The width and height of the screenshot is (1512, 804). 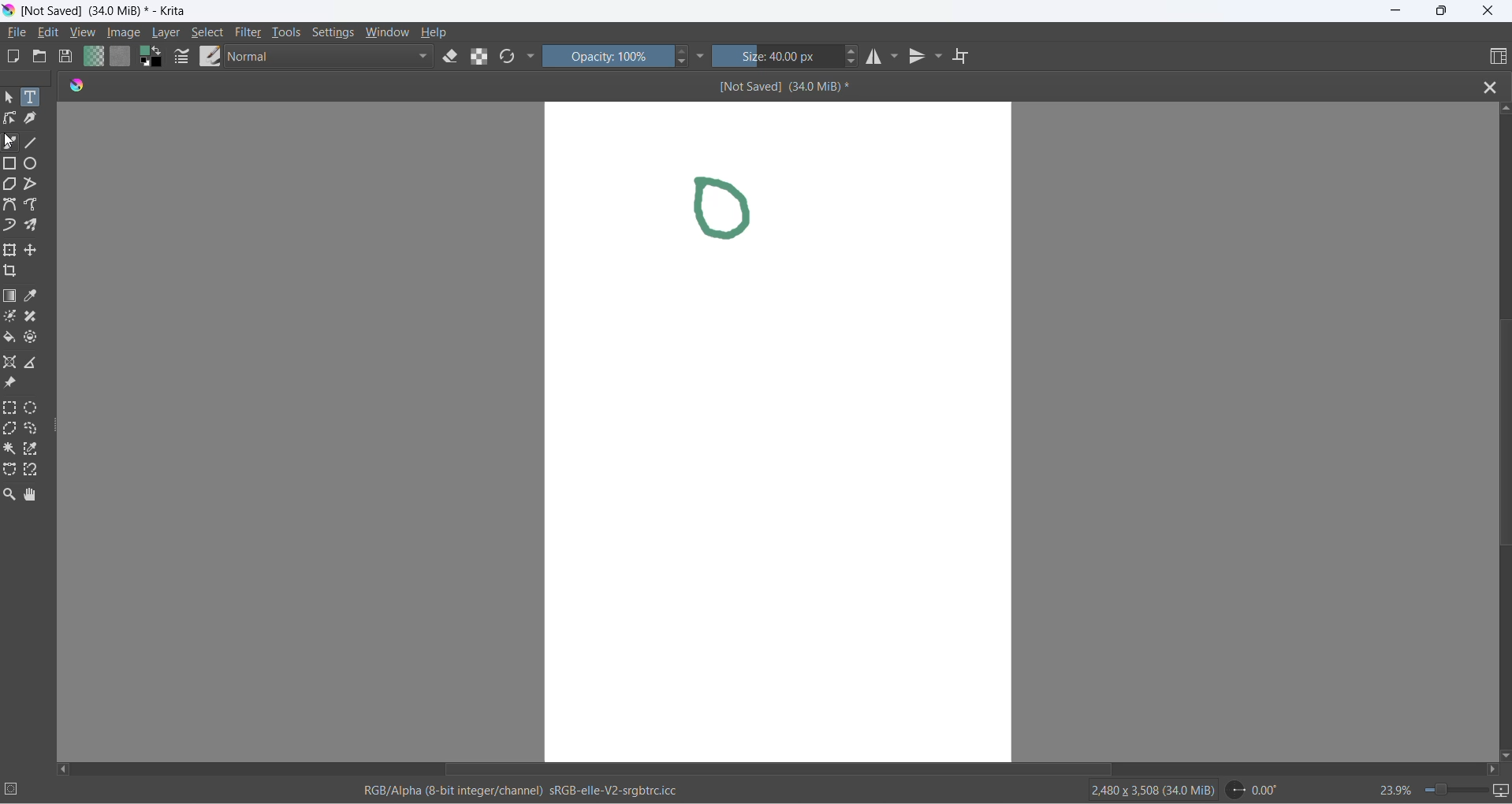 I want to click on open document, so click(x=45, y=58).